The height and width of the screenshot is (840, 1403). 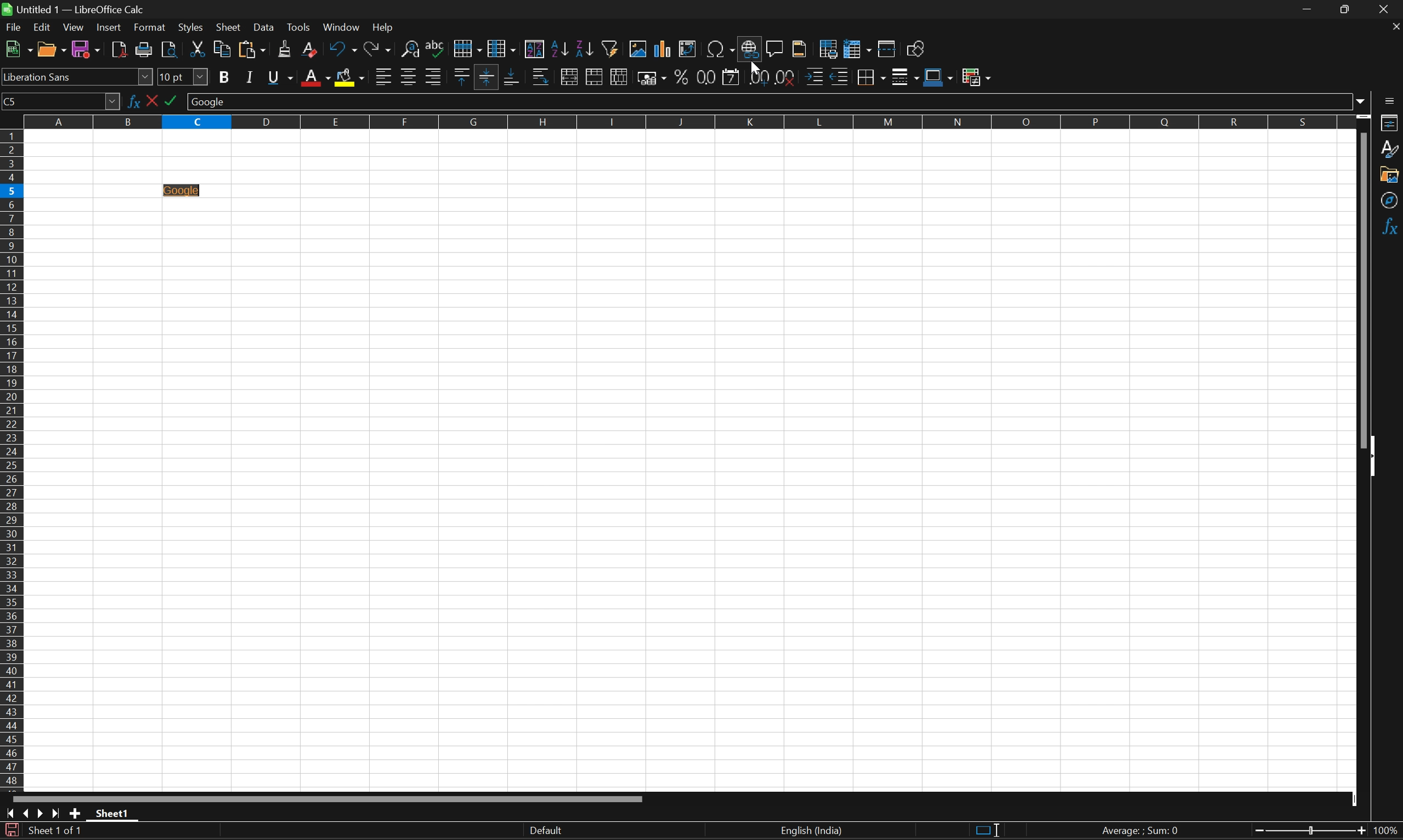 What do you see at coordinates (828, 47) in the screenshot?
I see `Define print area` at bounding box center [828, 47].